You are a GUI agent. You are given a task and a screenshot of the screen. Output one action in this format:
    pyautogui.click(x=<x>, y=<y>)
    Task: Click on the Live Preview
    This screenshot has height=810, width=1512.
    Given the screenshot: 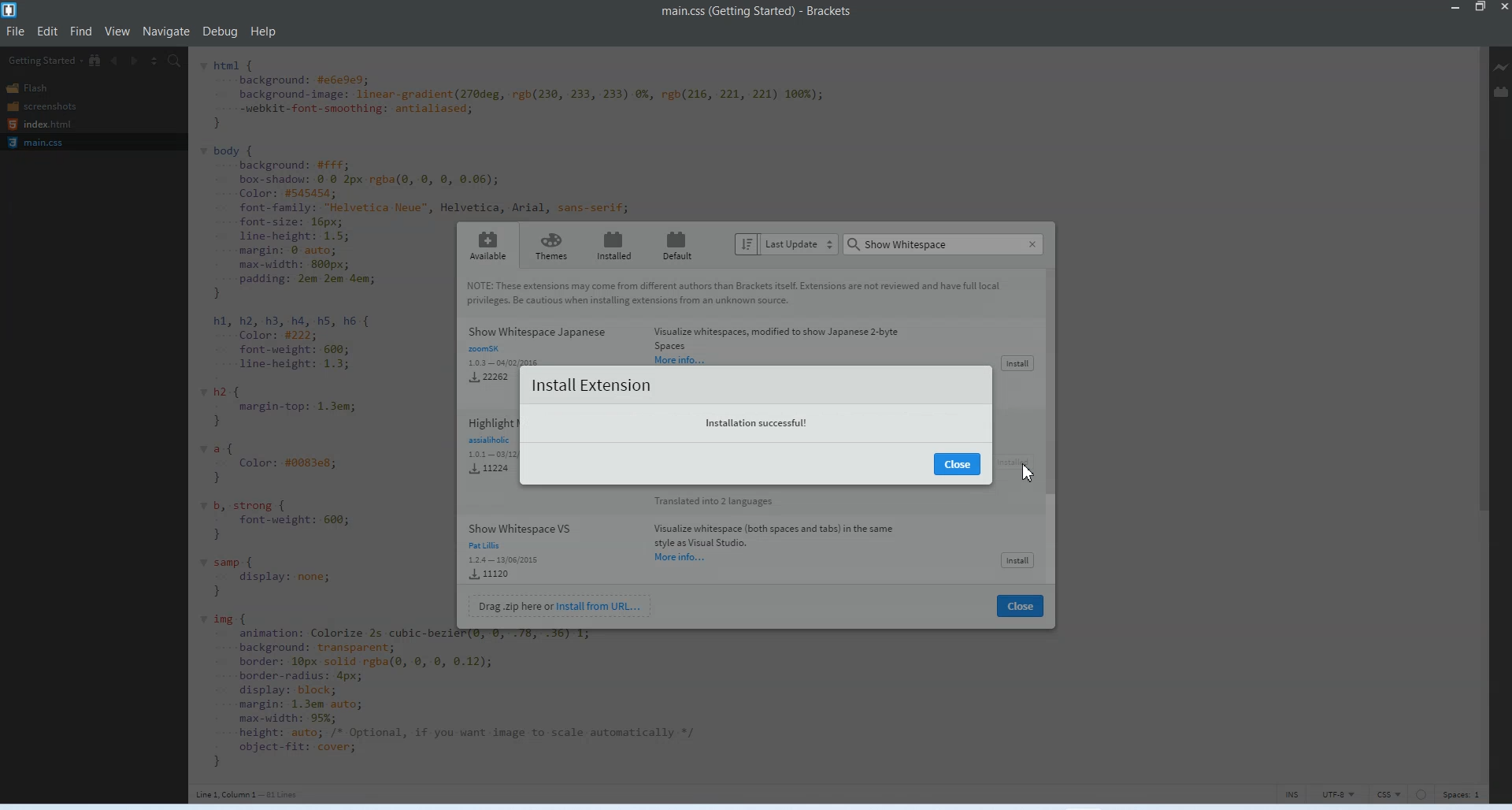 What is the action you would take?
    pyautogui.click(x=1502, y=67)
    